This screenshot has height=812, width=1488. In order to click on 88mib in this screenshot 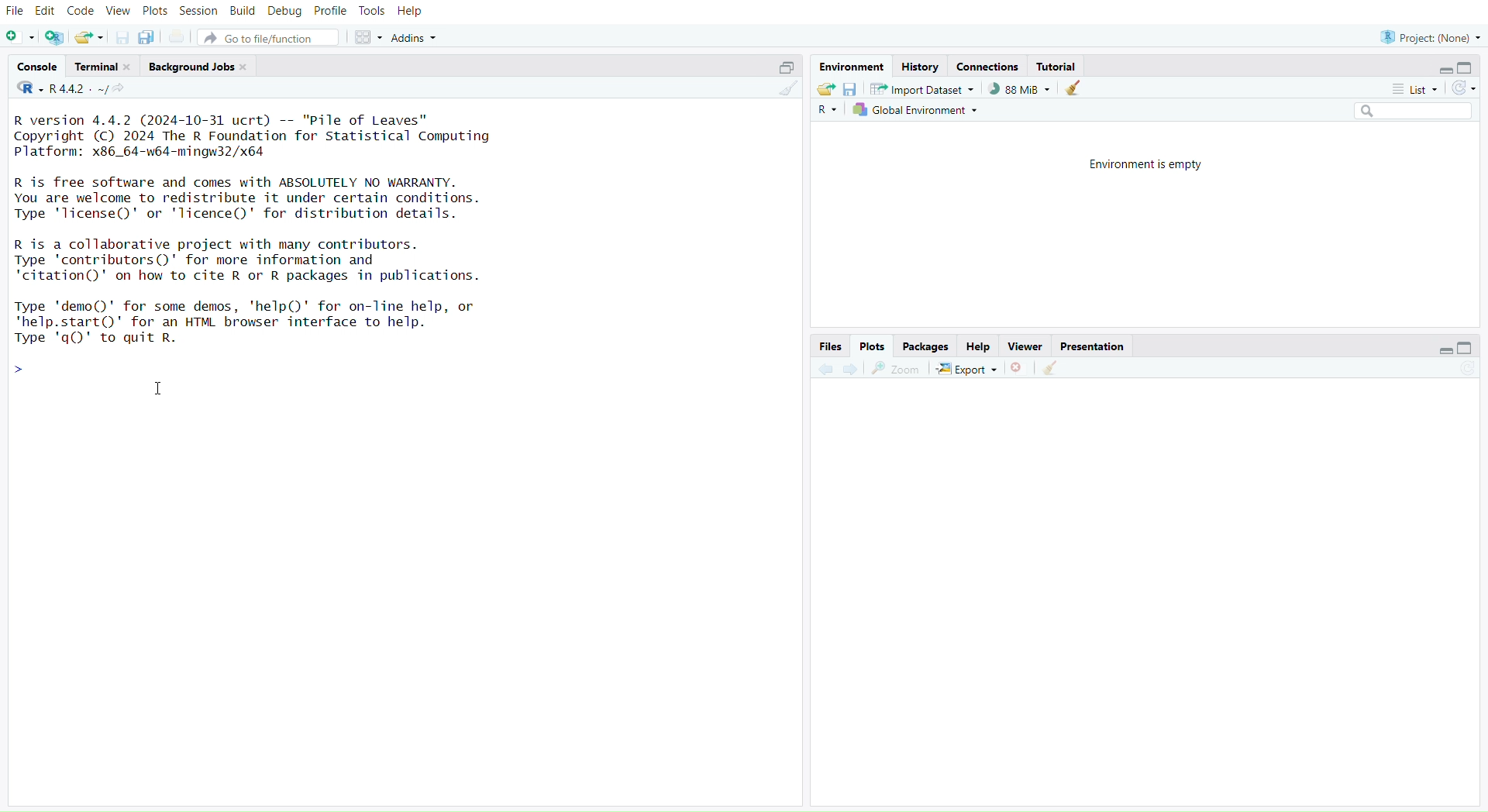, I will do `click(1020, 89)`.